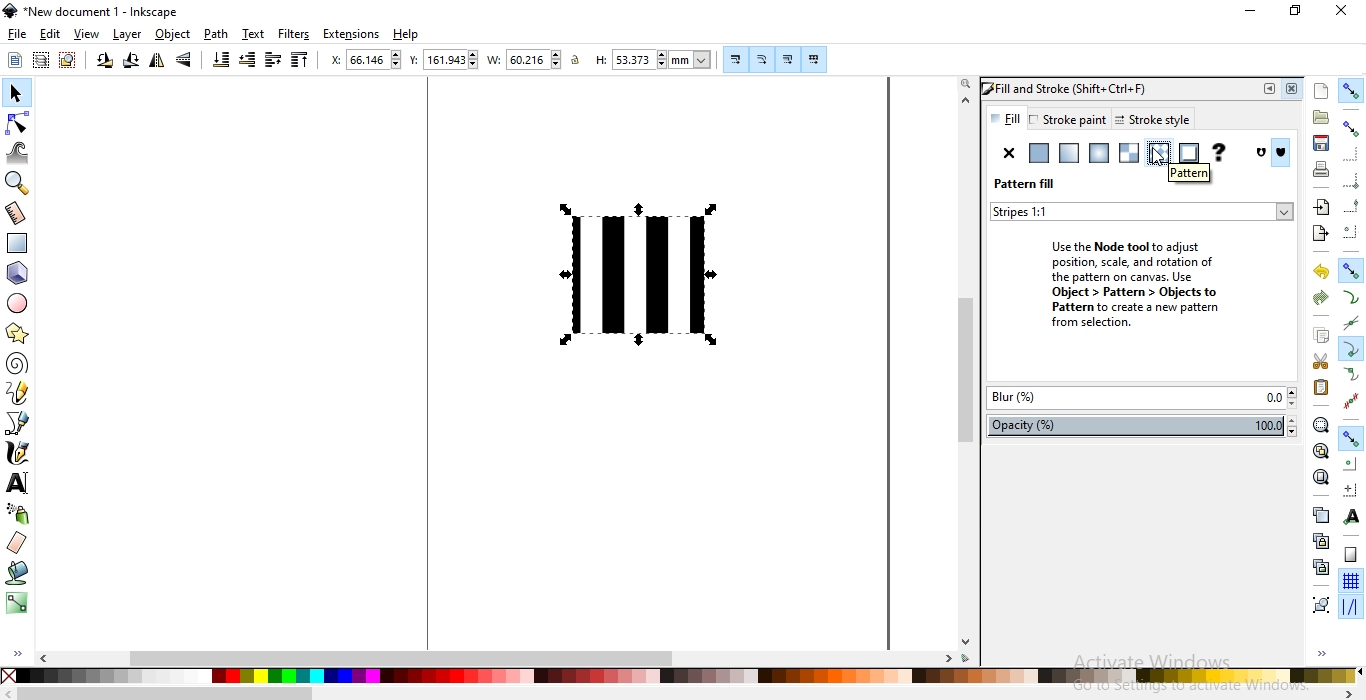  What do you see at coordinates (1350, 582) in the screenshot?
I see `snap to grids` at bounding box center [1350, 582].